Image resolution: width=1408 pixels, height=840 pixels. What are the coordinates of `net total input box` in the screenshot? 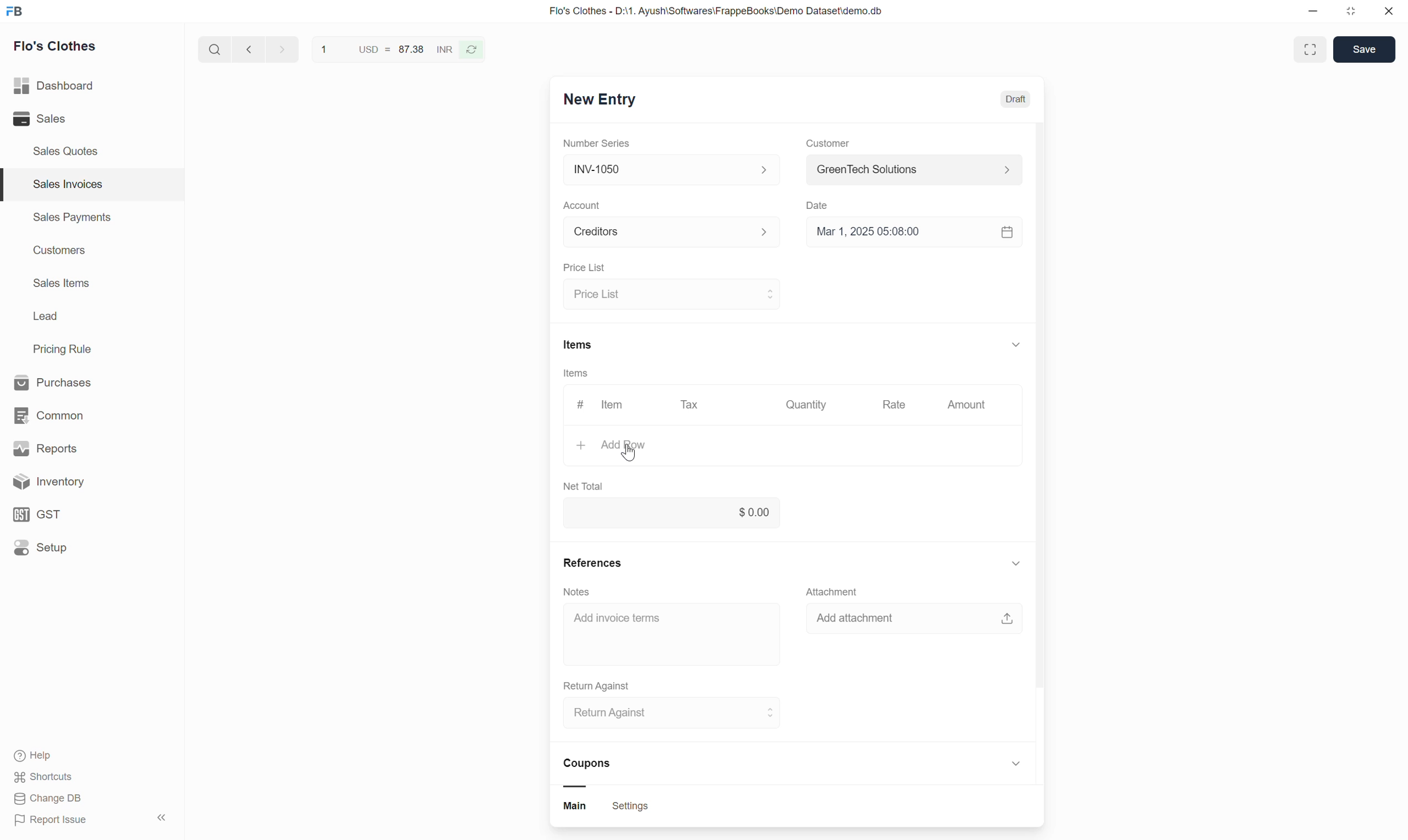 It's located at (672, 516).